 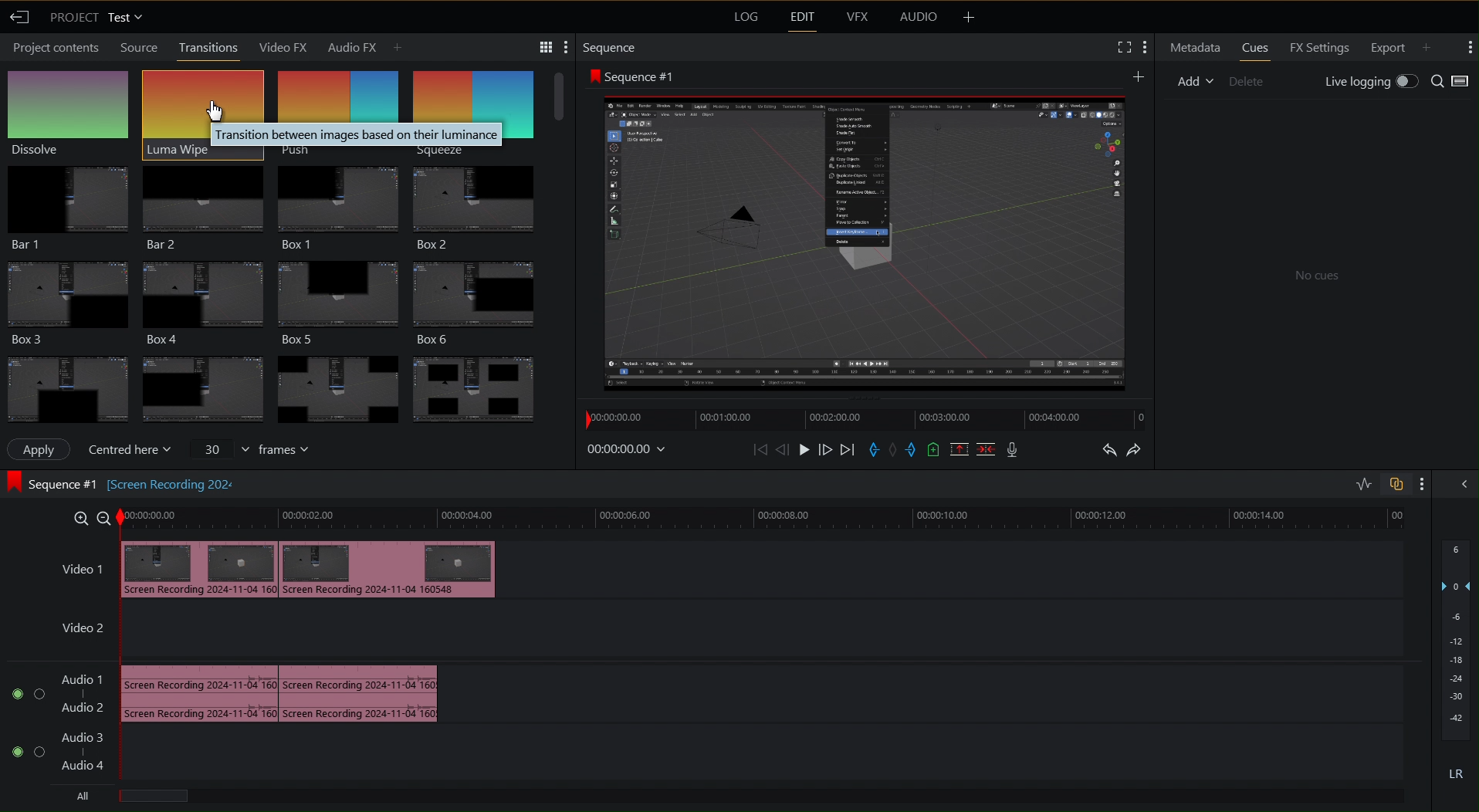 What do you see at coordinates (987, 449) in the screenshot?
I see `Delete/Cut` at bounding box center [987, 449].